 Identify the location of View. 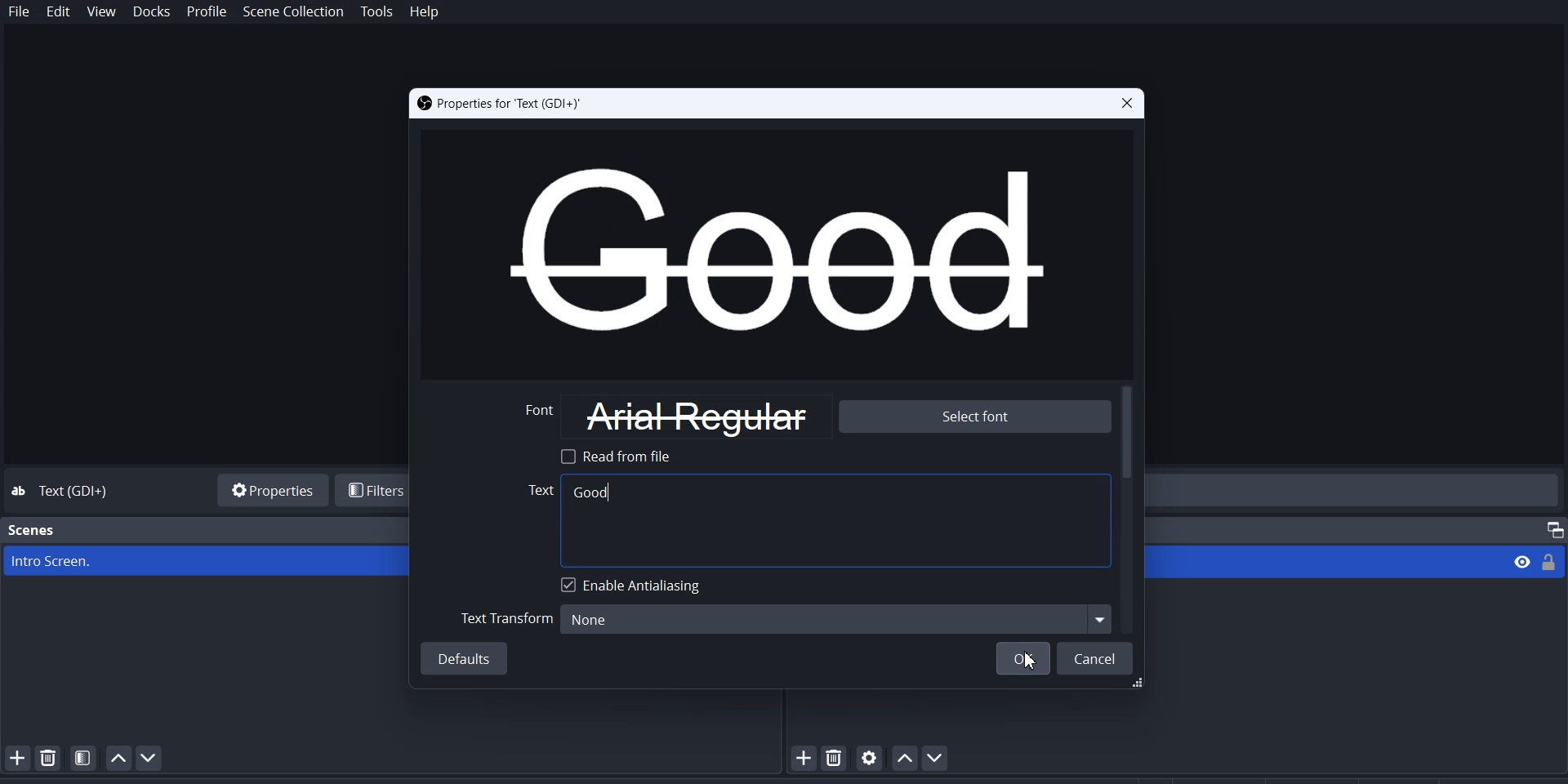
(102, 12).